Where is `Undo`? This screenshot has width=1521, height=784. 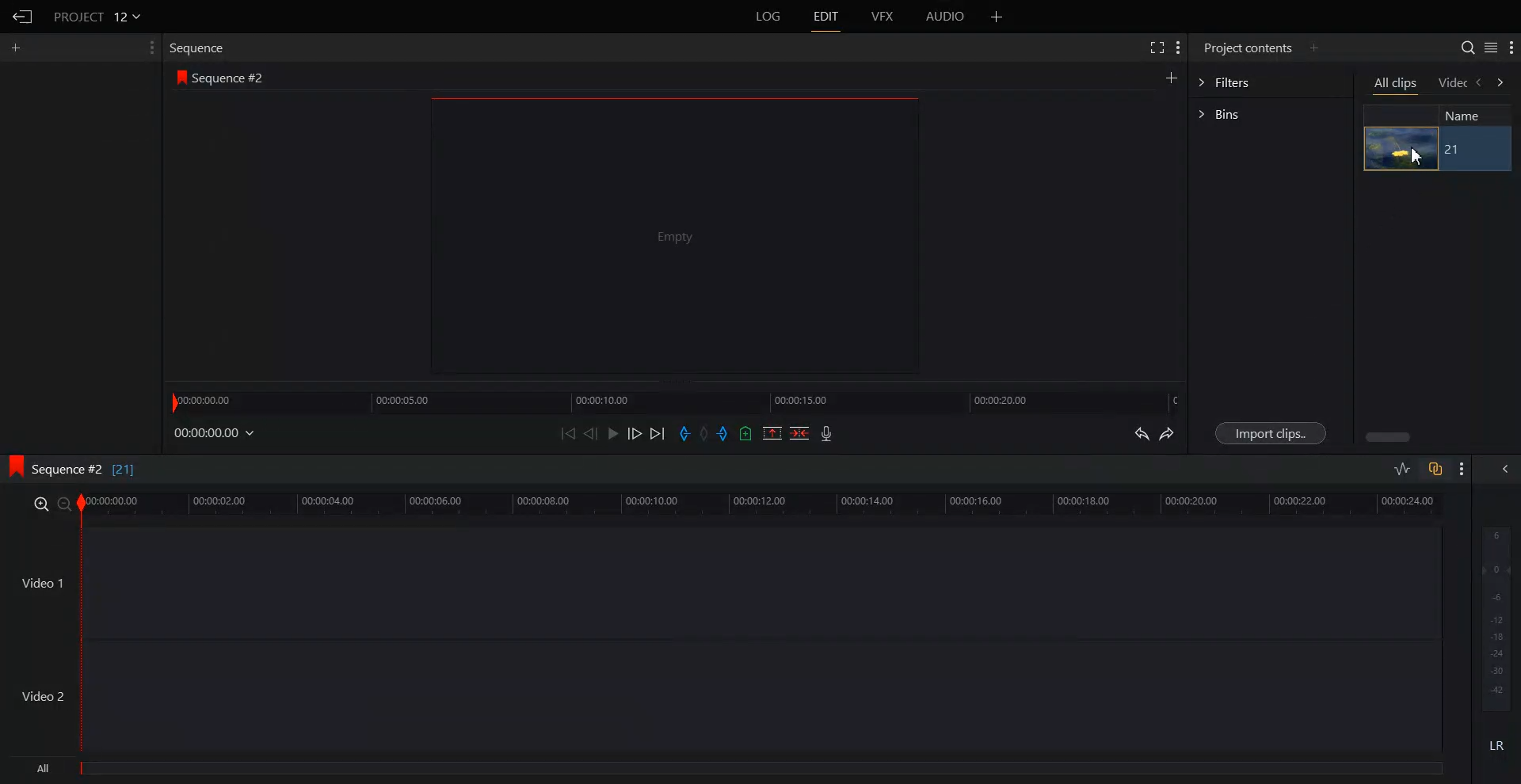
Undo is located at coordinates (1142, 433).